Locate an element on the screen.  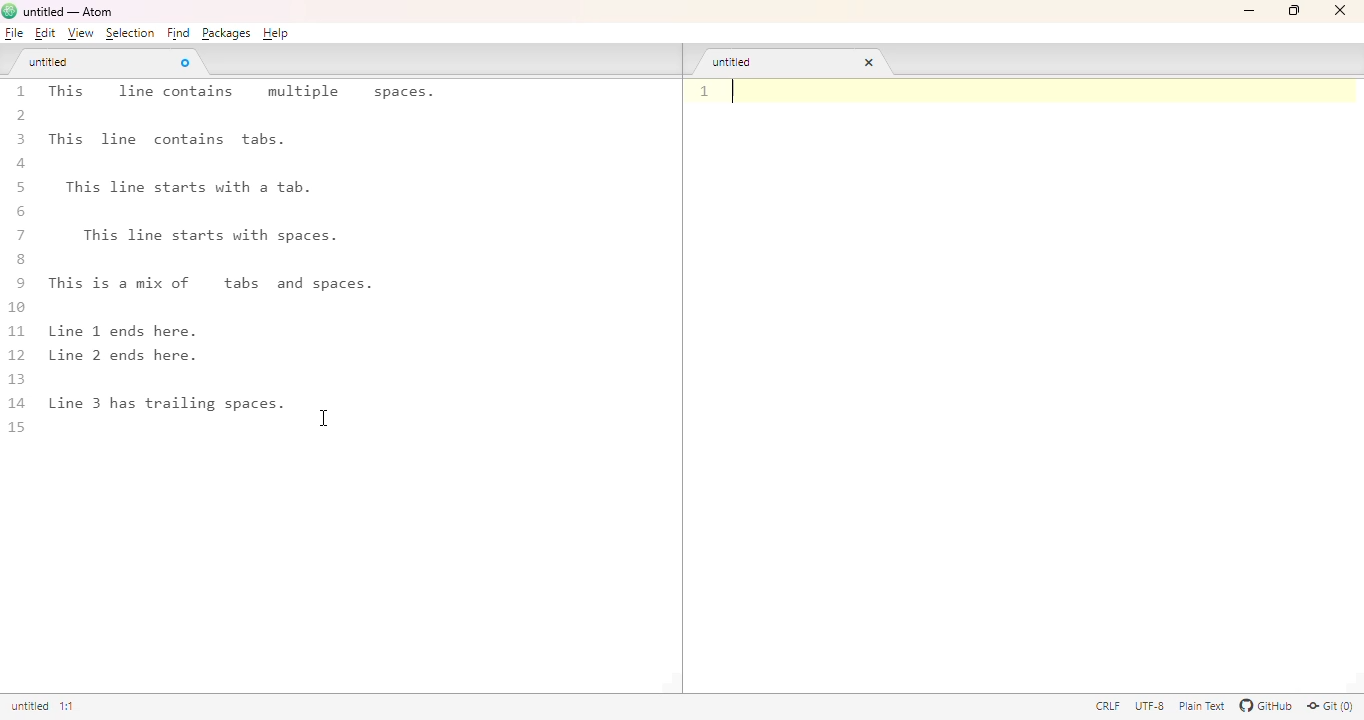
logo is located at coordinates (9, 11).